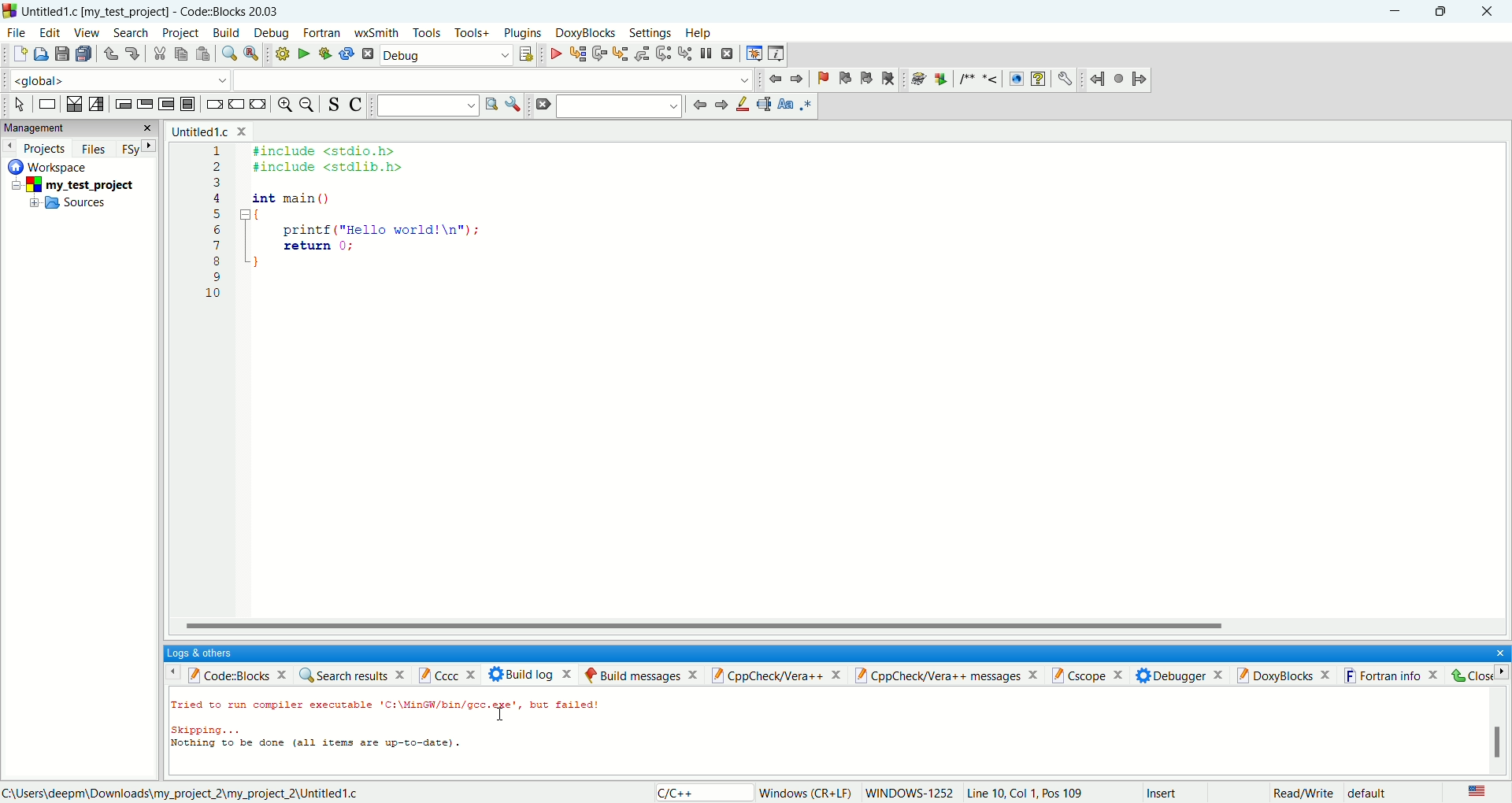  What do you see at coordinates (728, 54) in the screenshot?
I see `stop debugger` at bounding box center [728, 54].